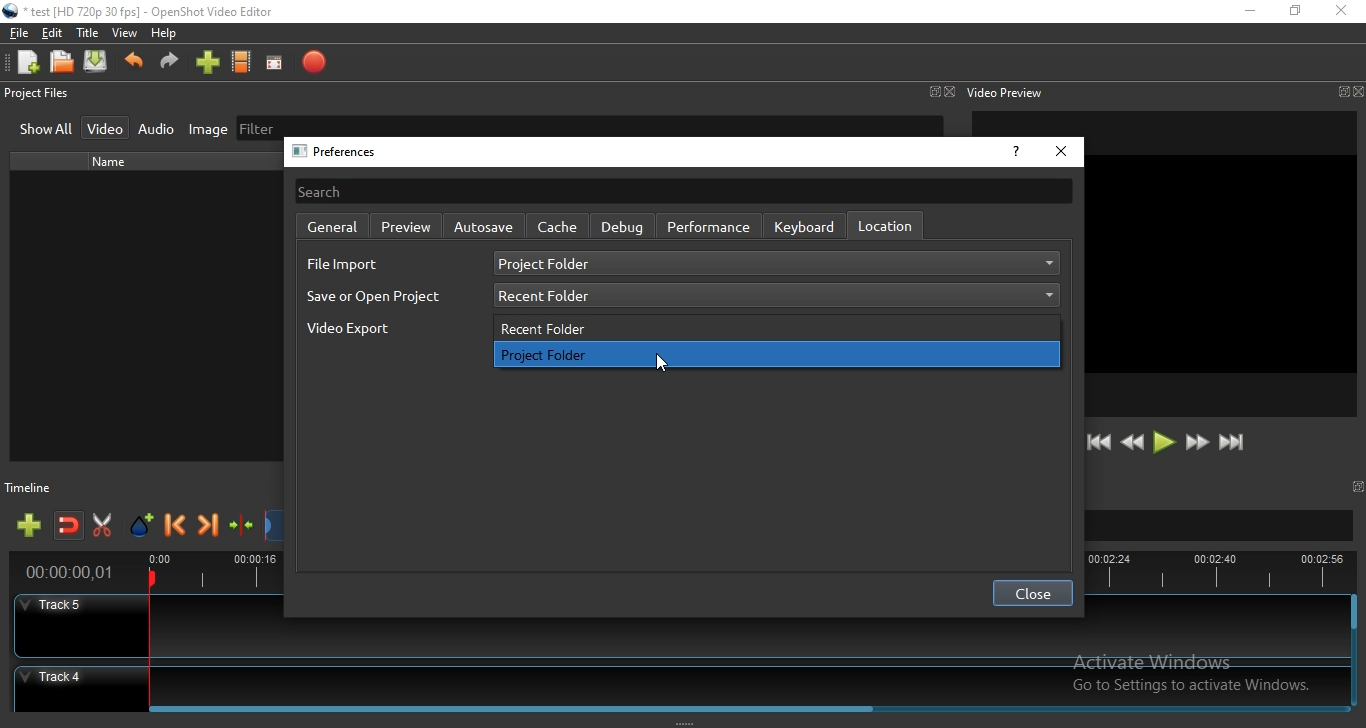 The height and width of the screenshot is (728, 1366). What do you see at coordinates (621, 225) in the screenshot?
I see `debug` at bounding box center [621, 225].